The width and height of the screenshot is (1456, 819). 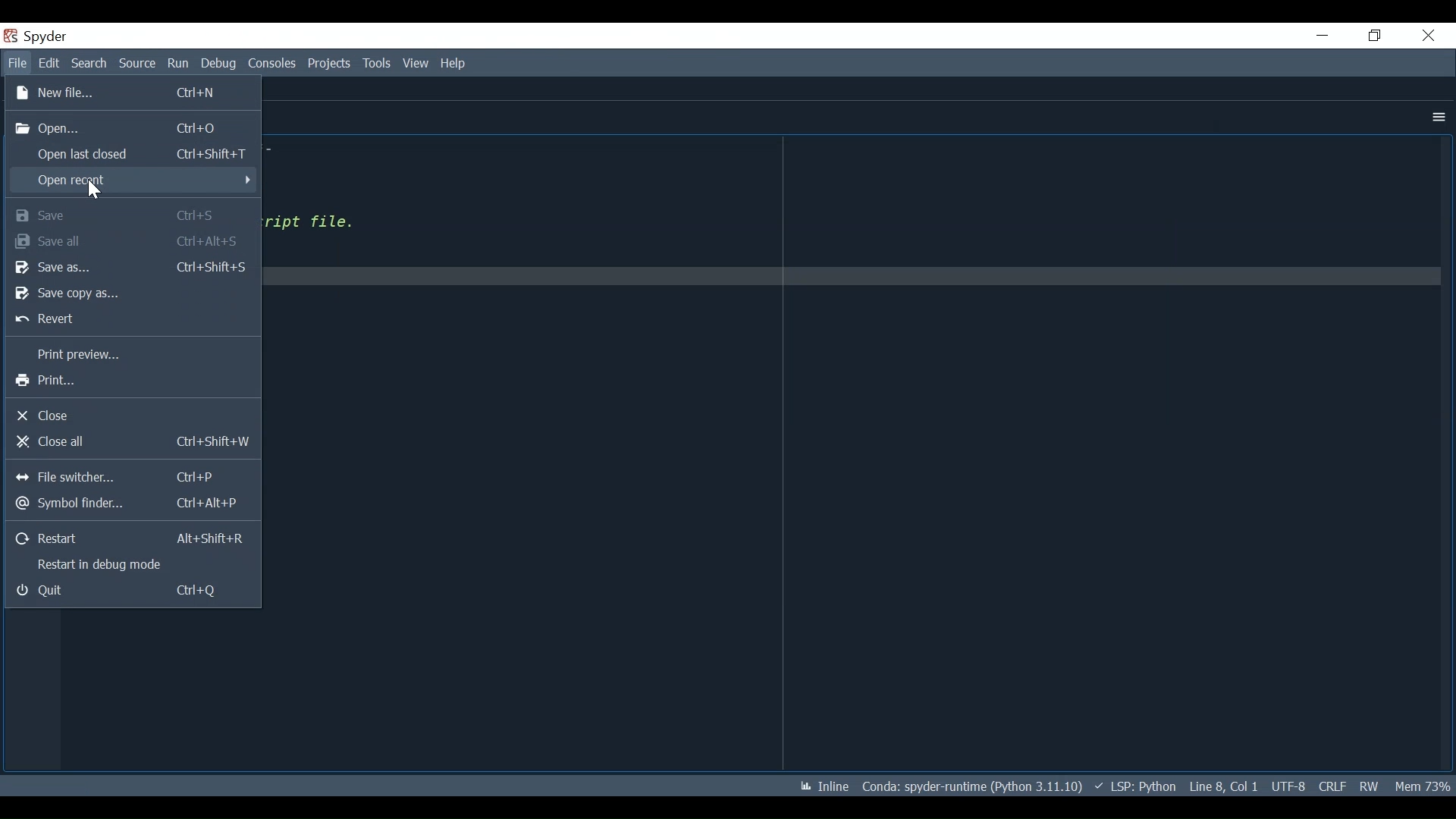 I want to click on Save As, so click(x=133, y=267).